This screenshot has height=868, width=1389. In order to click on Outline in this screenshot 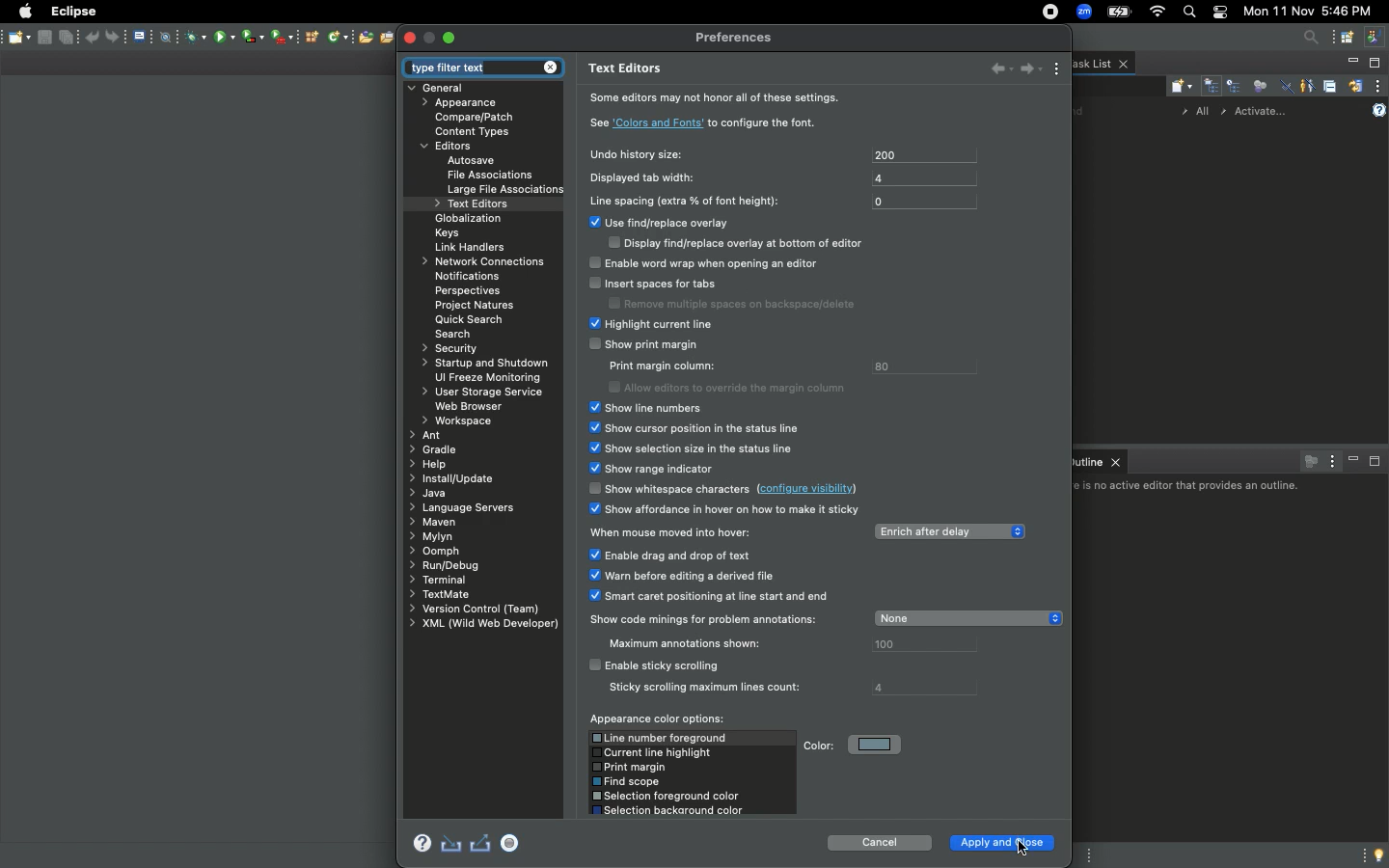, I will do `click(1101, 461)`.